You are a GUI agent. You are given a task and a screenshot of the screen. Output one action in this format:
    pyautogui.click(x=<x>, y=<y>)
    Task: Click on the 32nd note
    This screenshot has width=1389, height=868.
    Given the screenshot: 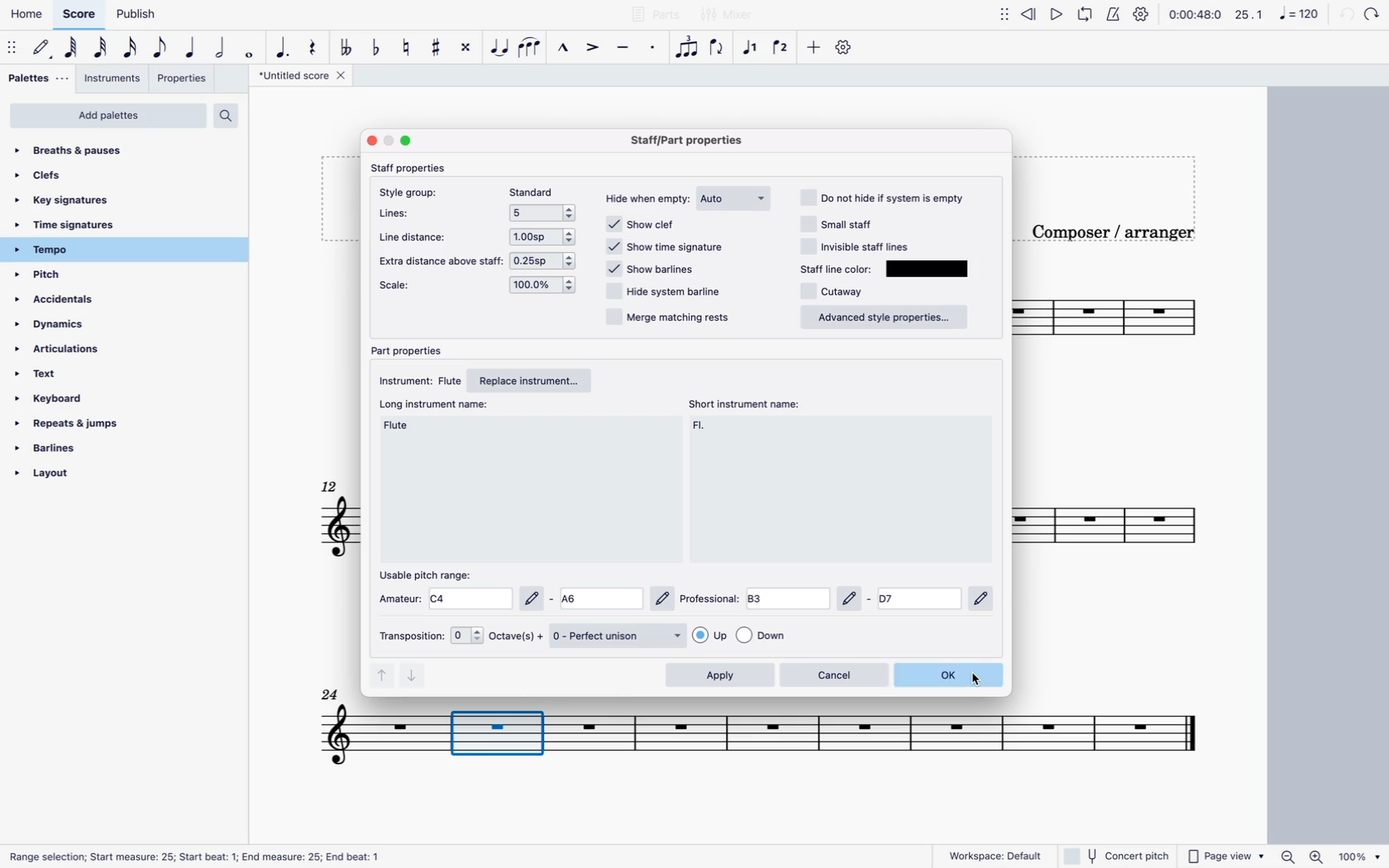 What is the action you would take?
    pyautogui.click(x=103, y=49)
    